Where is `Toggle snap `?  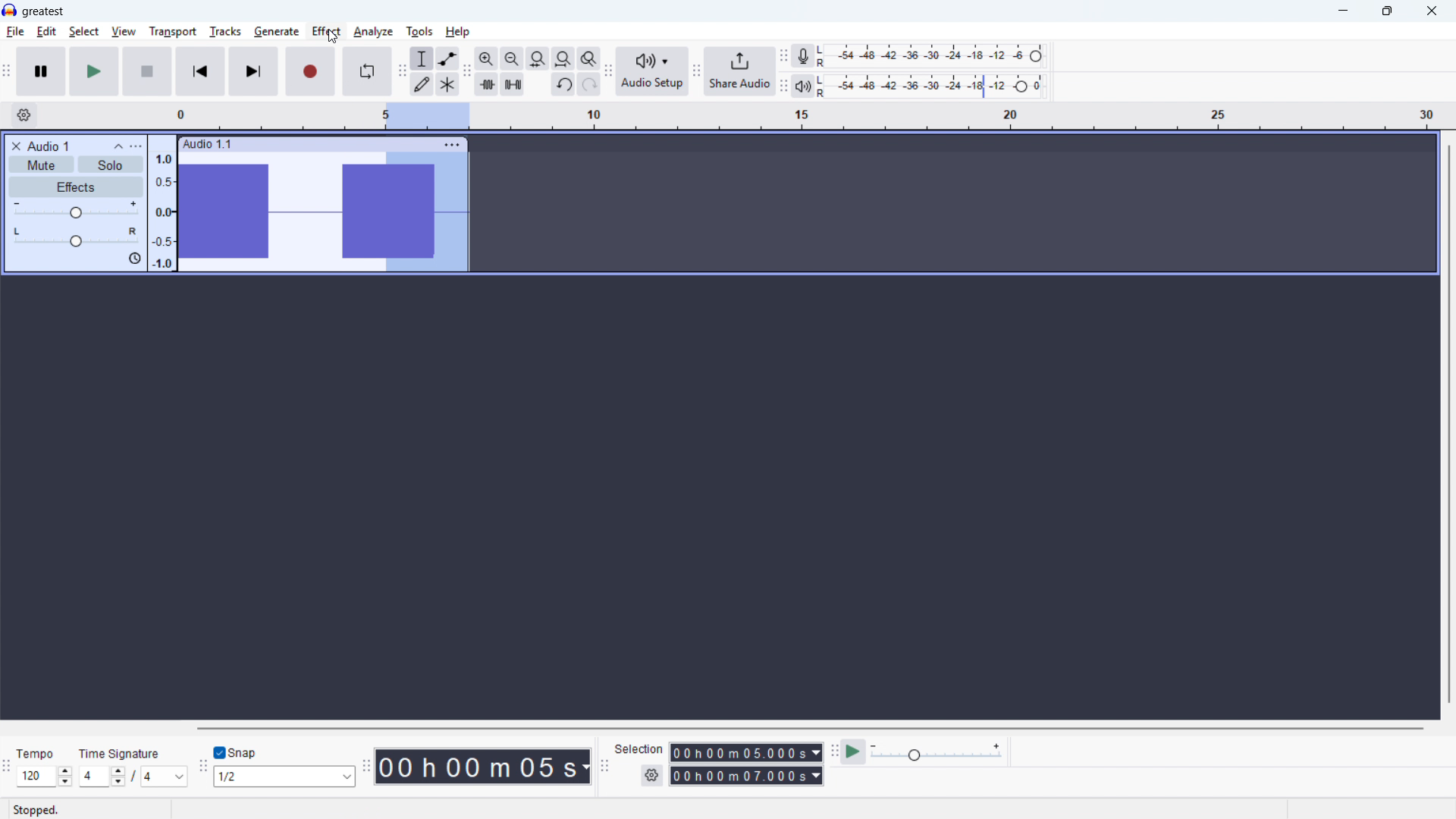
Toggle snap  is located at coordinates (238, 752).